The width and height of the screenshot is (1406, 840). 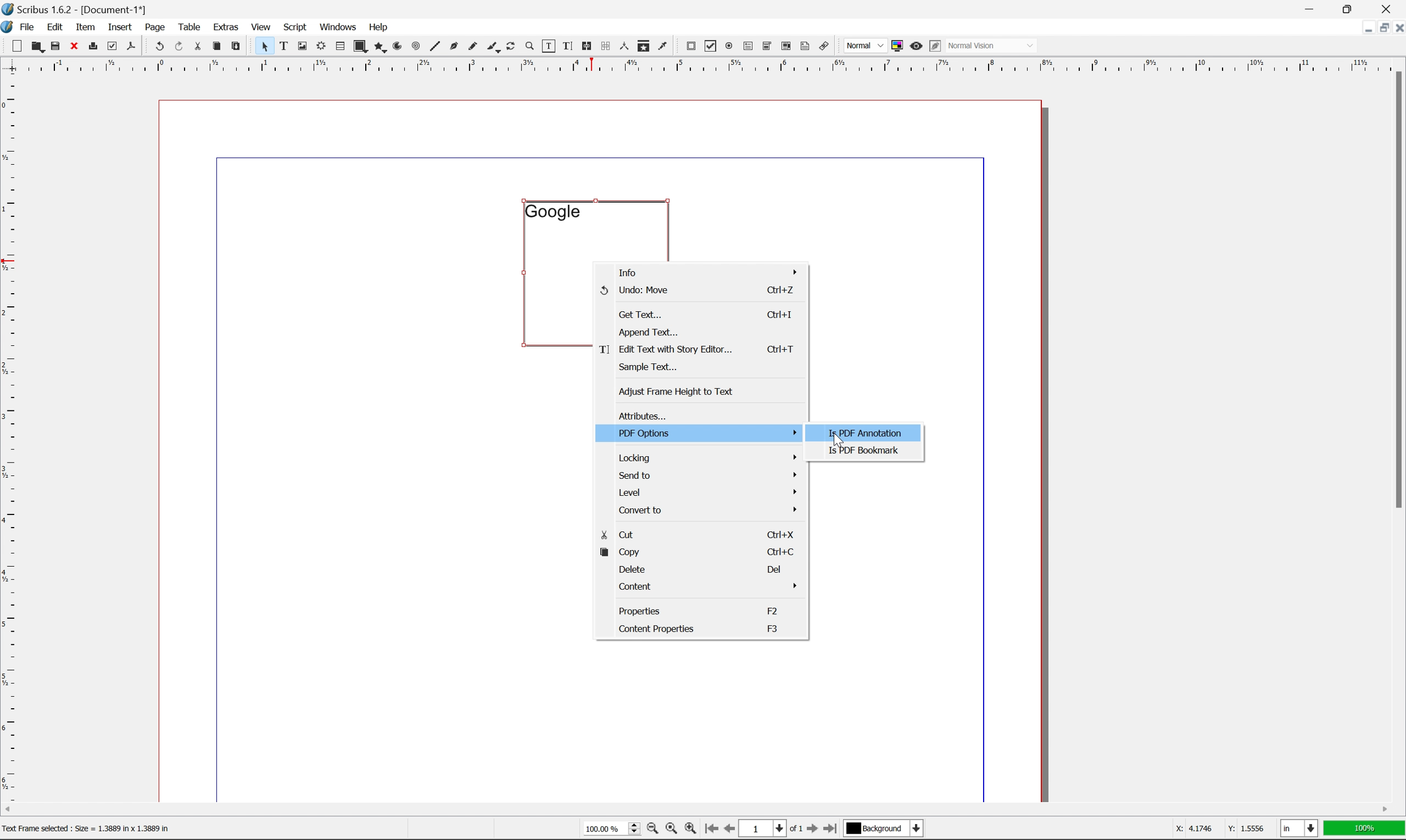 I want to click on windows, so click(x=340, y=26).